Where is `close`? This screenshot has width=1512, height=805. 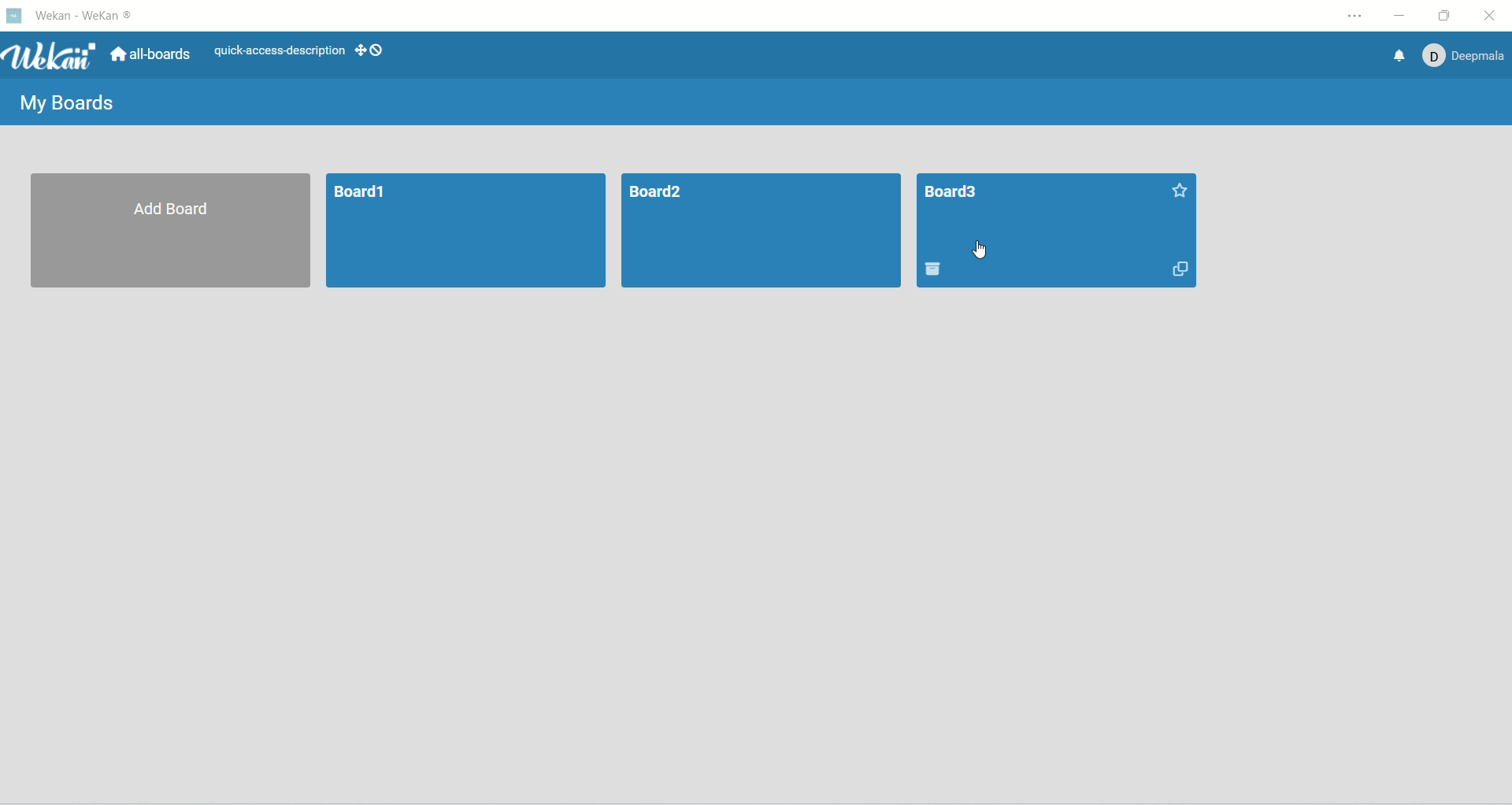 close is located at coordinates (1490, 16).